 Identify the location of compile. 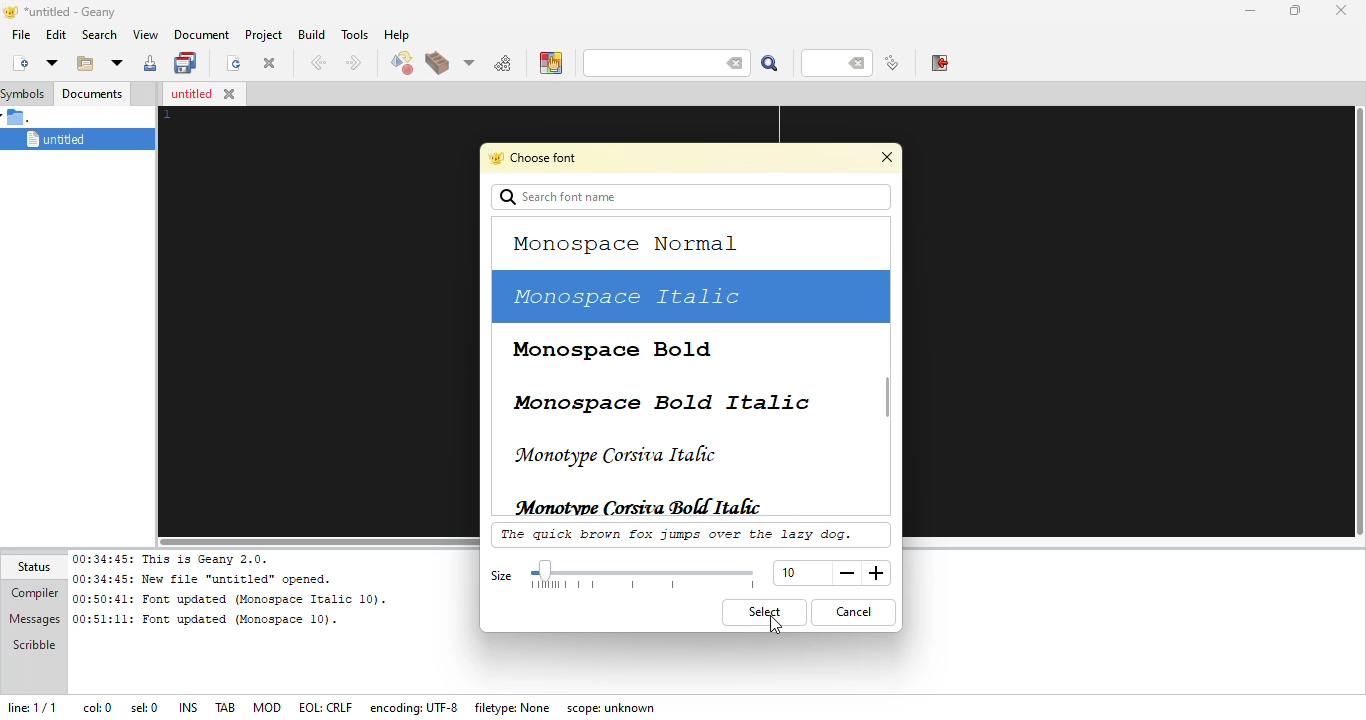
(401, 64).